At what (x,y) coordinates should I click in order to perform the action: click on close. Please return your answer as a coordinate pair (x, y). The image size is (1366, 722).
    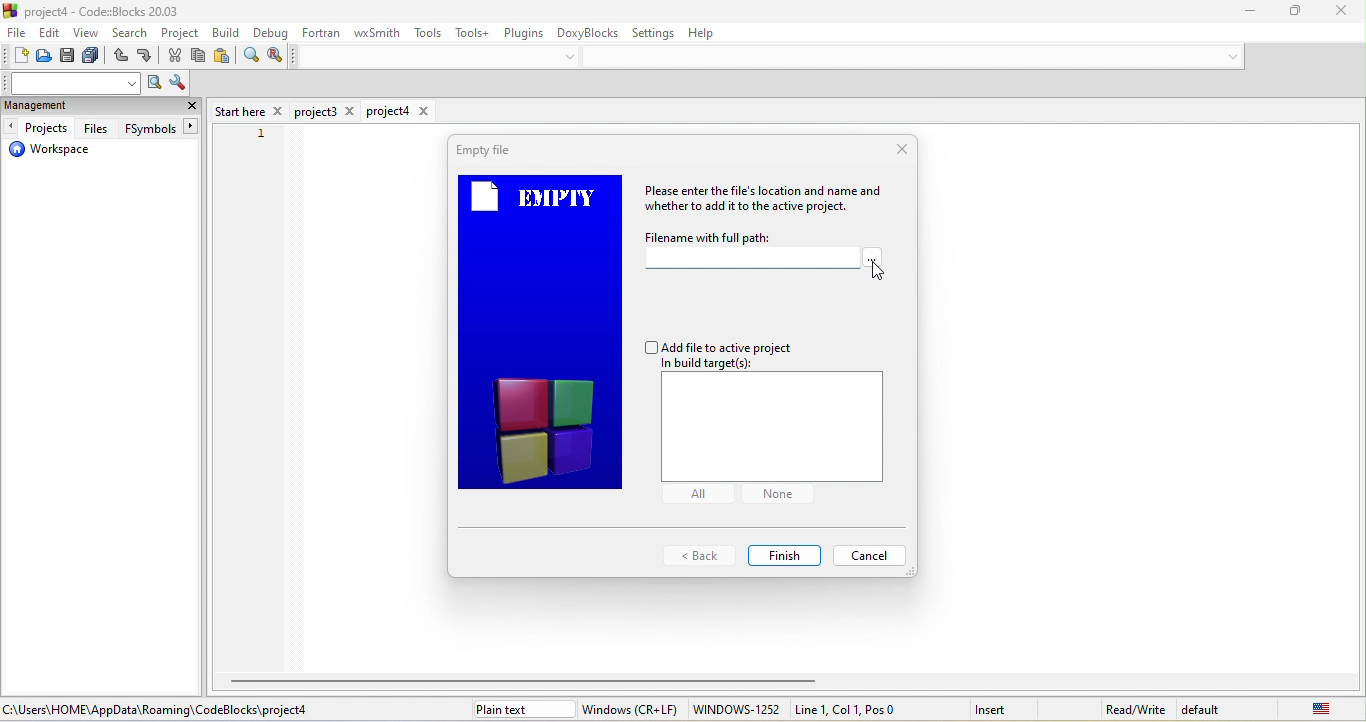
    Looking at the image, I should click on (1333, 10).